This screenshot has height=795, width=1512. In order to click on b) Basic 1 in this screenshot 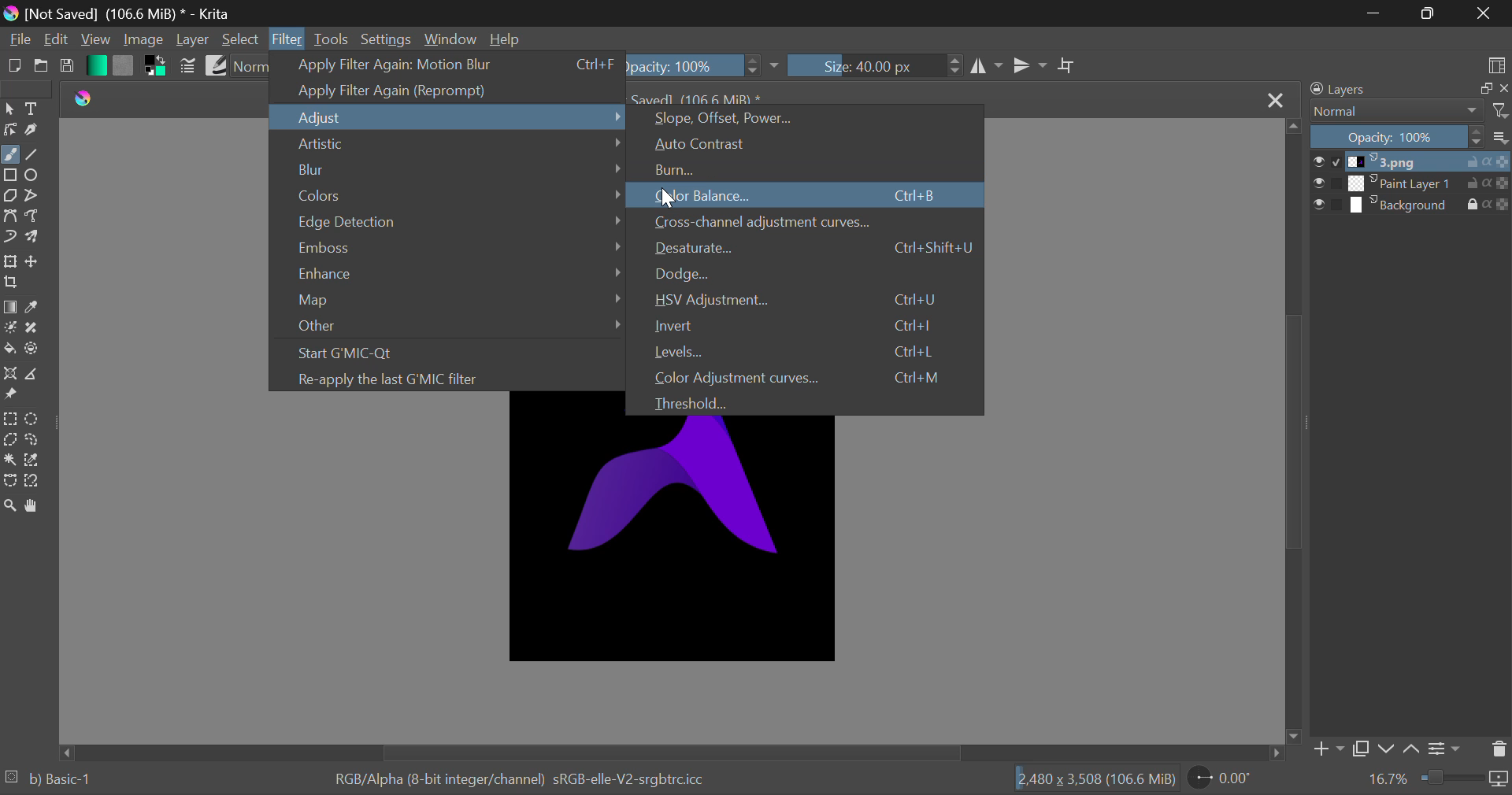, I will do `click(58, 778)`.